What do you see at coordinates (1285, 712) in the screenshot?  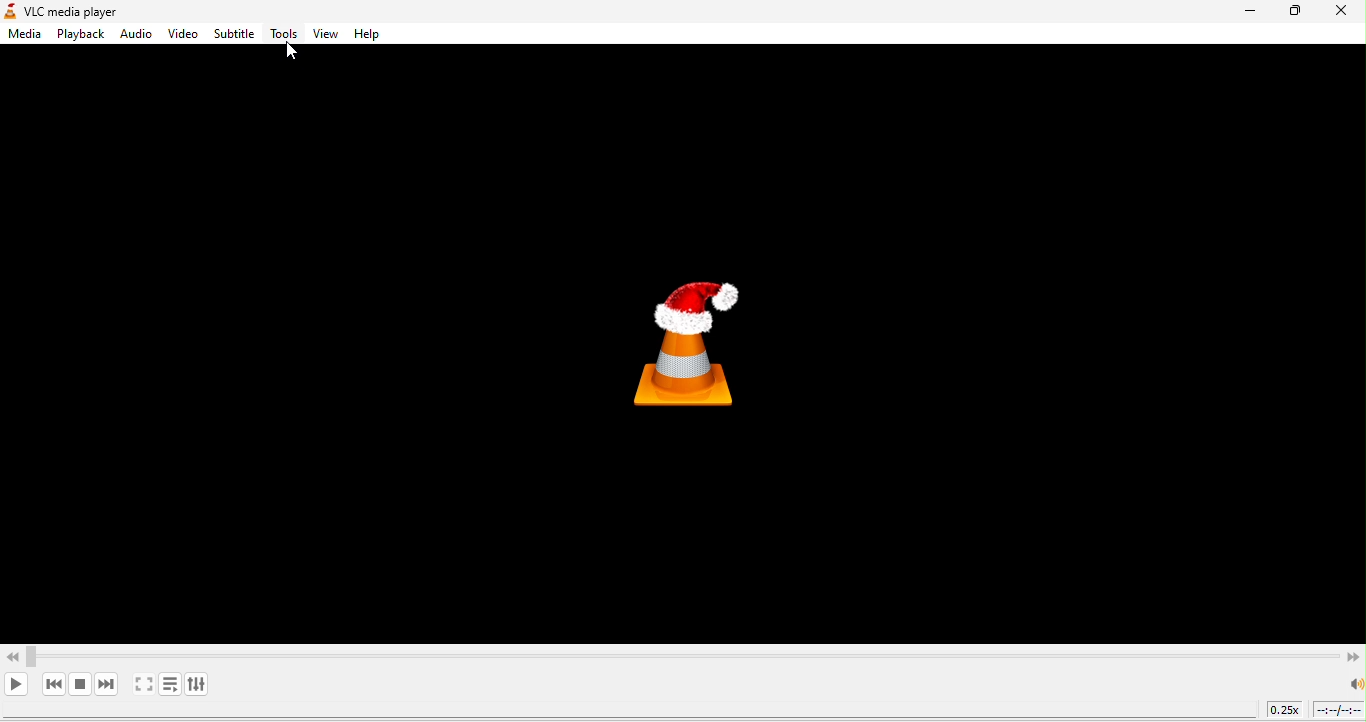 I see `playback speed` at bounding box center [1285, 712].